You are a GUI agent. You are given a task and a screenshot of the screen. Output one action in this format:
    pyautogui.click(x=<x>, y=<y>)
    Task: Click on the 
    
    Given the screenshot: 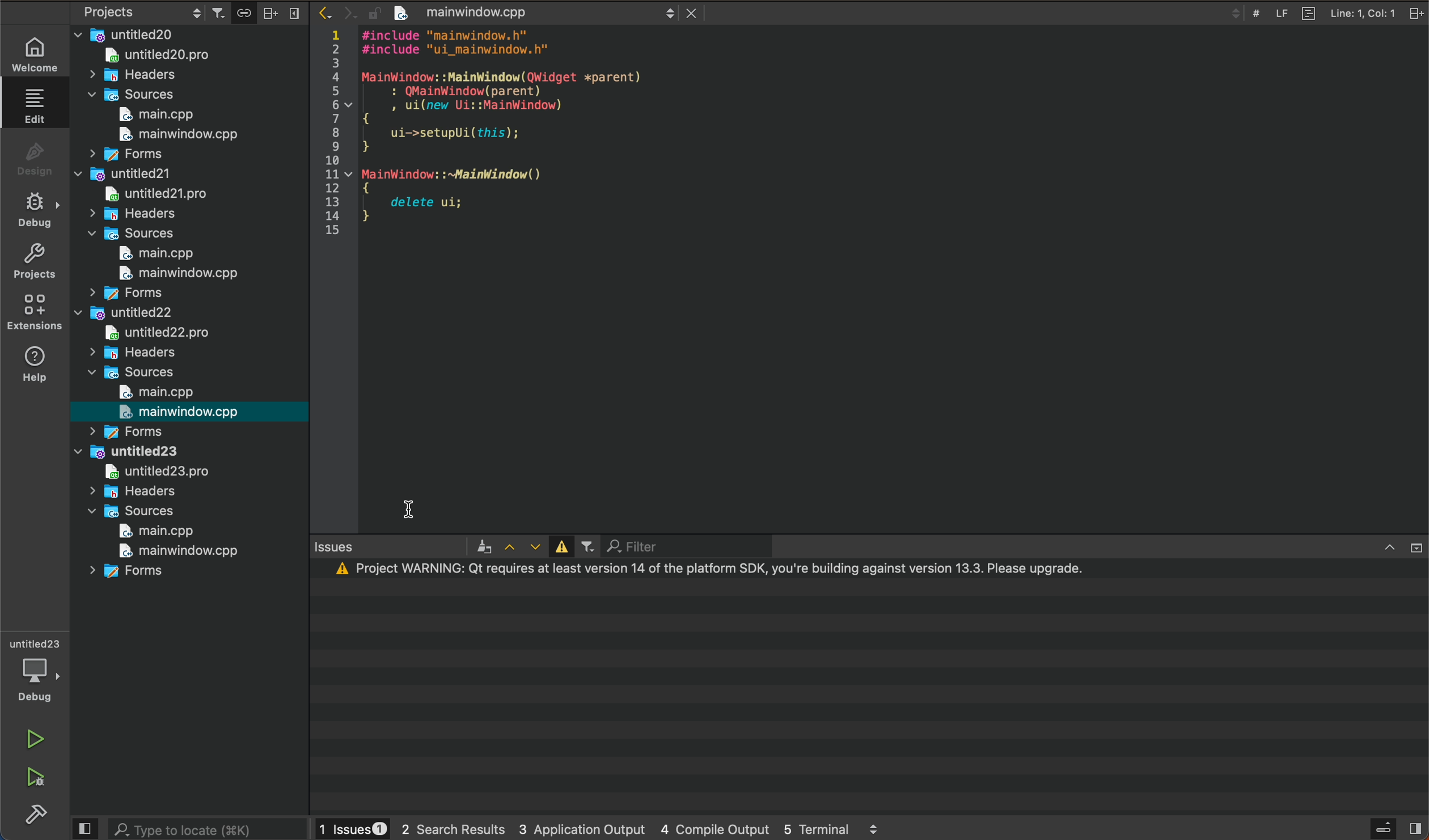 What is the action you would take?
    pyautogui.click(x=559, y=547)
    